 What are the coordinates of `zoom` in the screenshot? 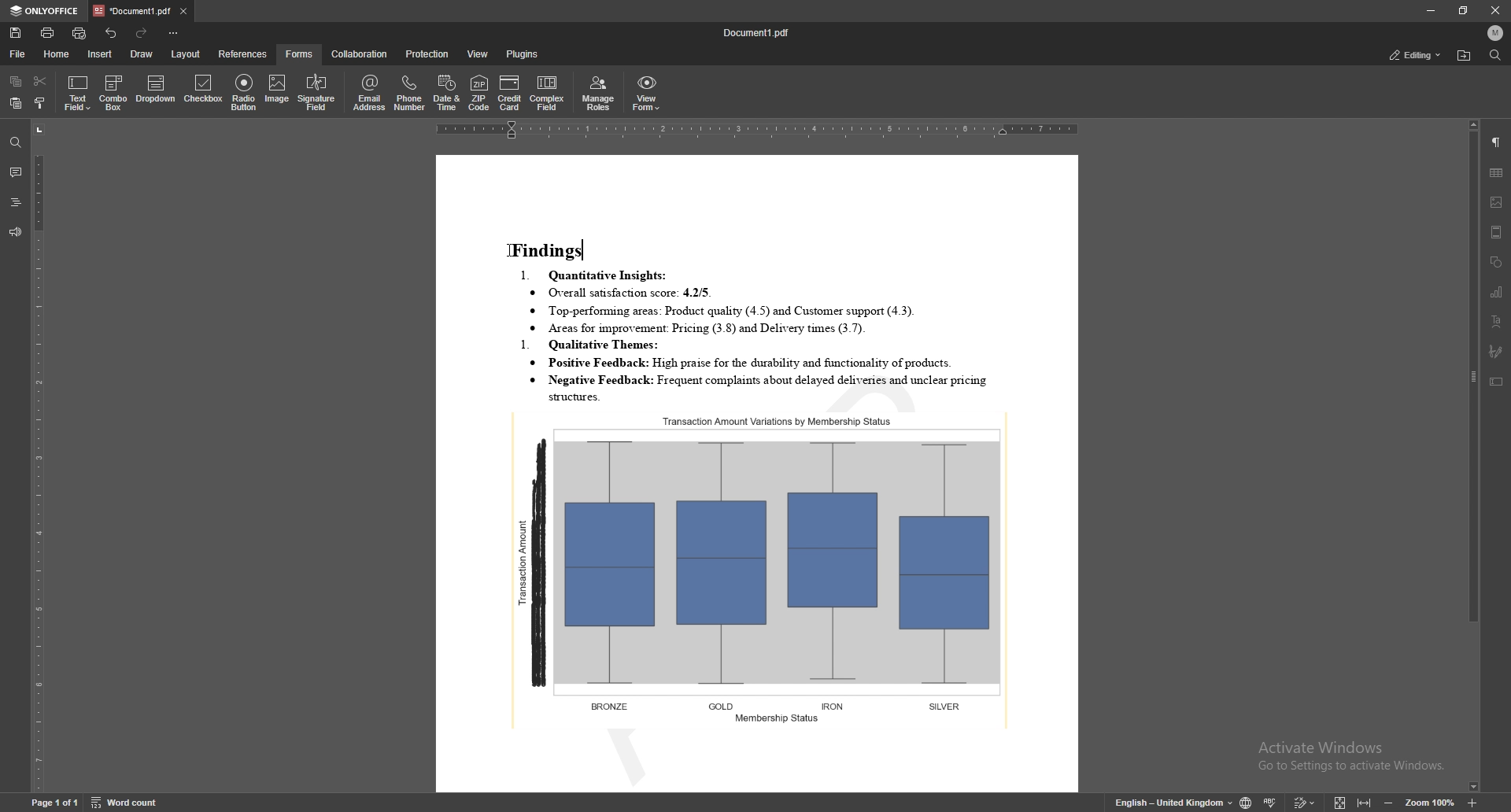 It's located at (1429, 803).